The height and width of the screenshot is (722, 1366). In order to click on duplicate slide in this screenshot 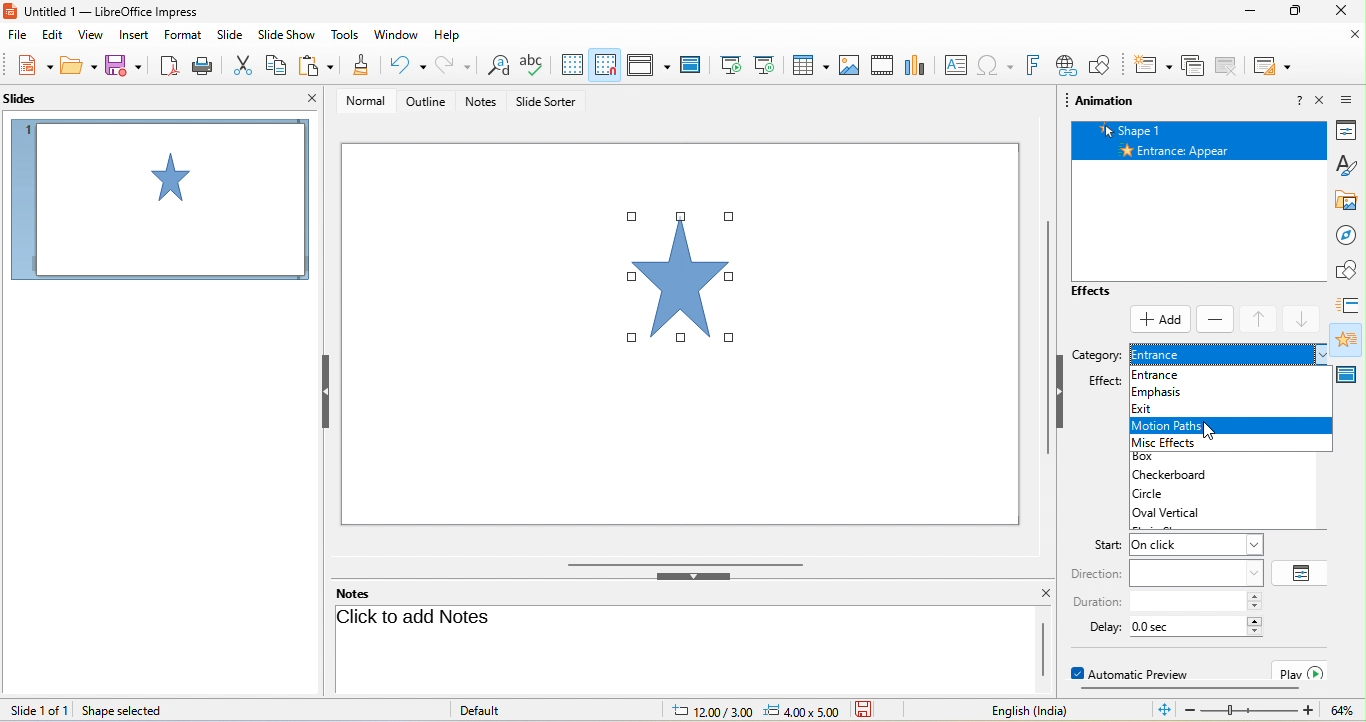, I will do `click(1226, 67)`.